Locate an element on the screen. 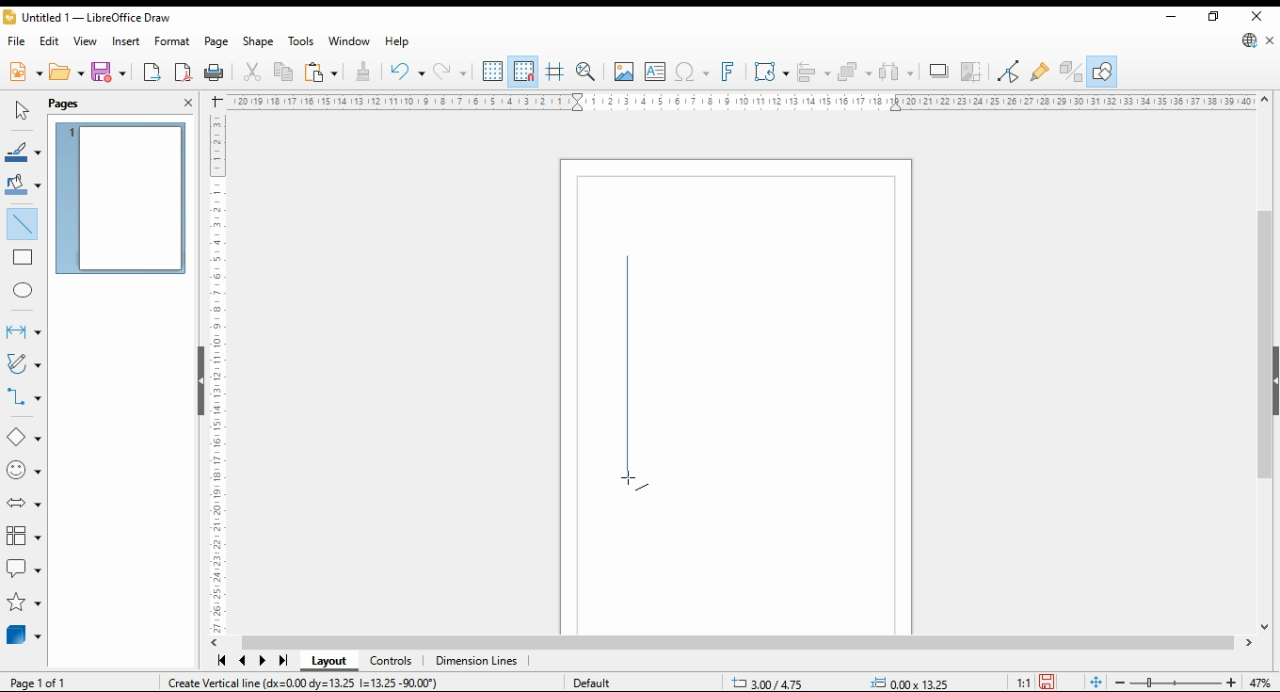  insert textbox is located at coordinates (655, 73).